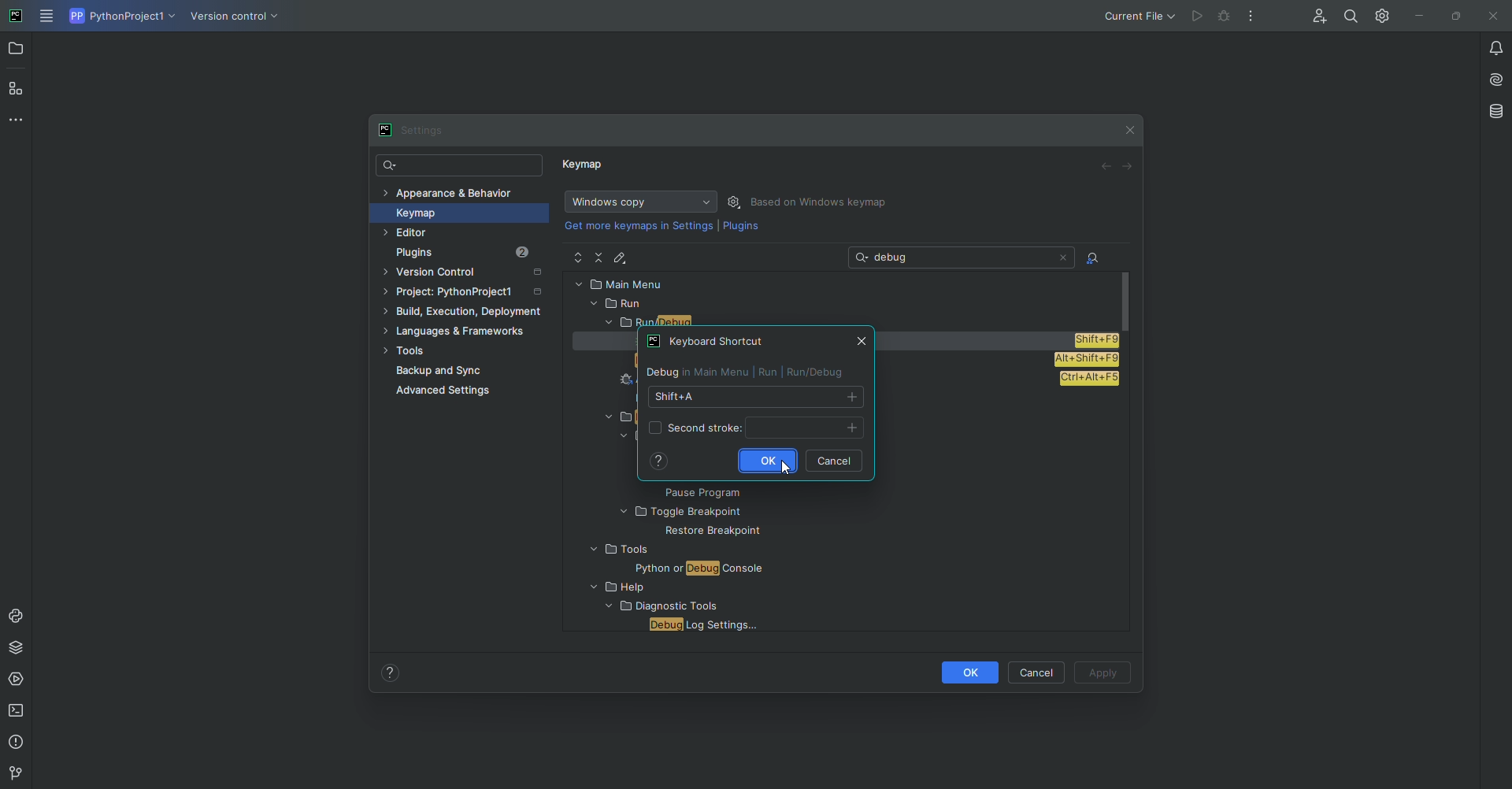 The image size is (1512, 789). What do you see at coordinates (700, 625) in the screenshot?
I see `FILE NAME` at bounding box center [700, 625].